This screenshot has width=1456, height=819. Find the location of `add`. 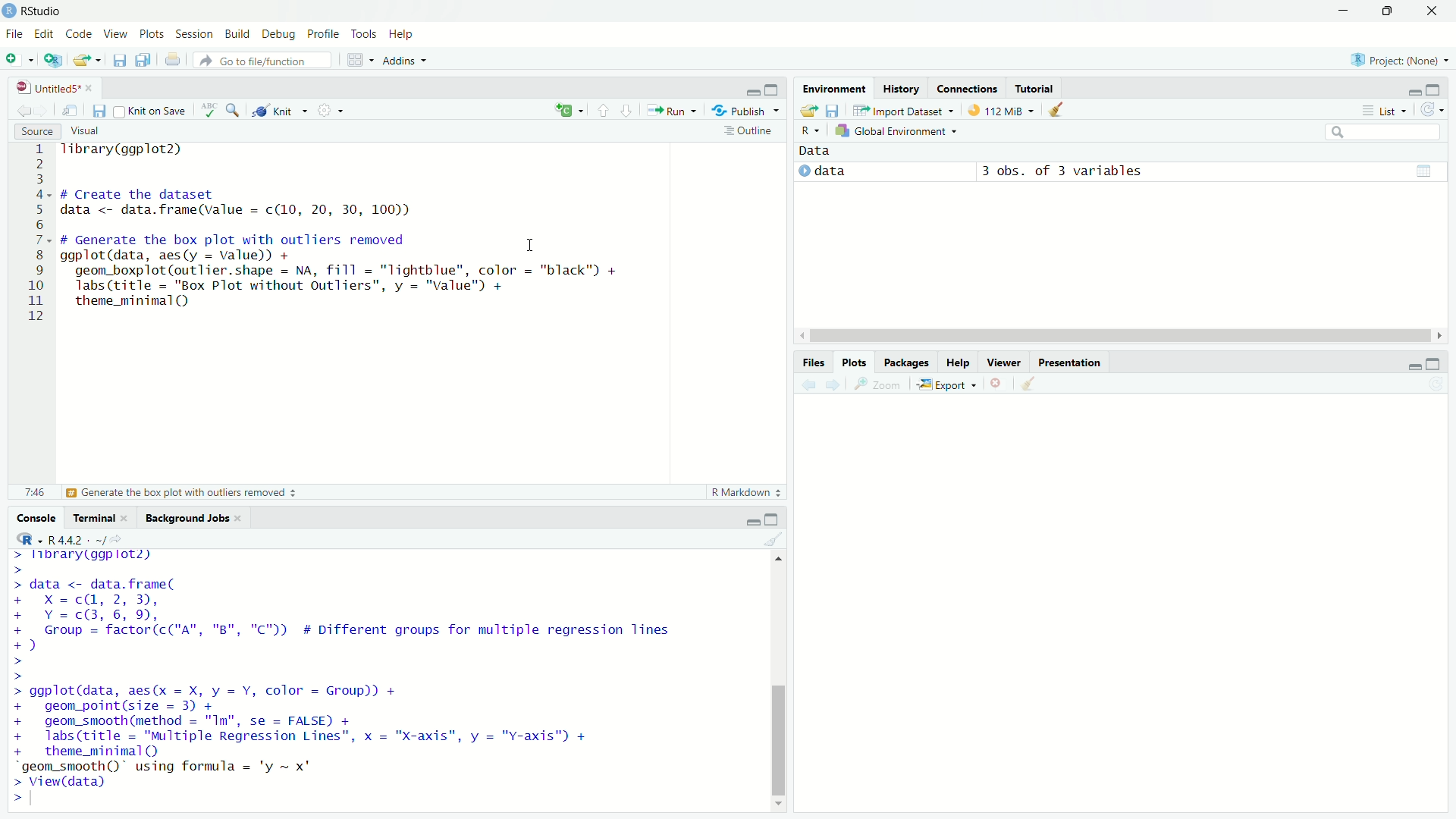

add is located at coordinates (53, 63).